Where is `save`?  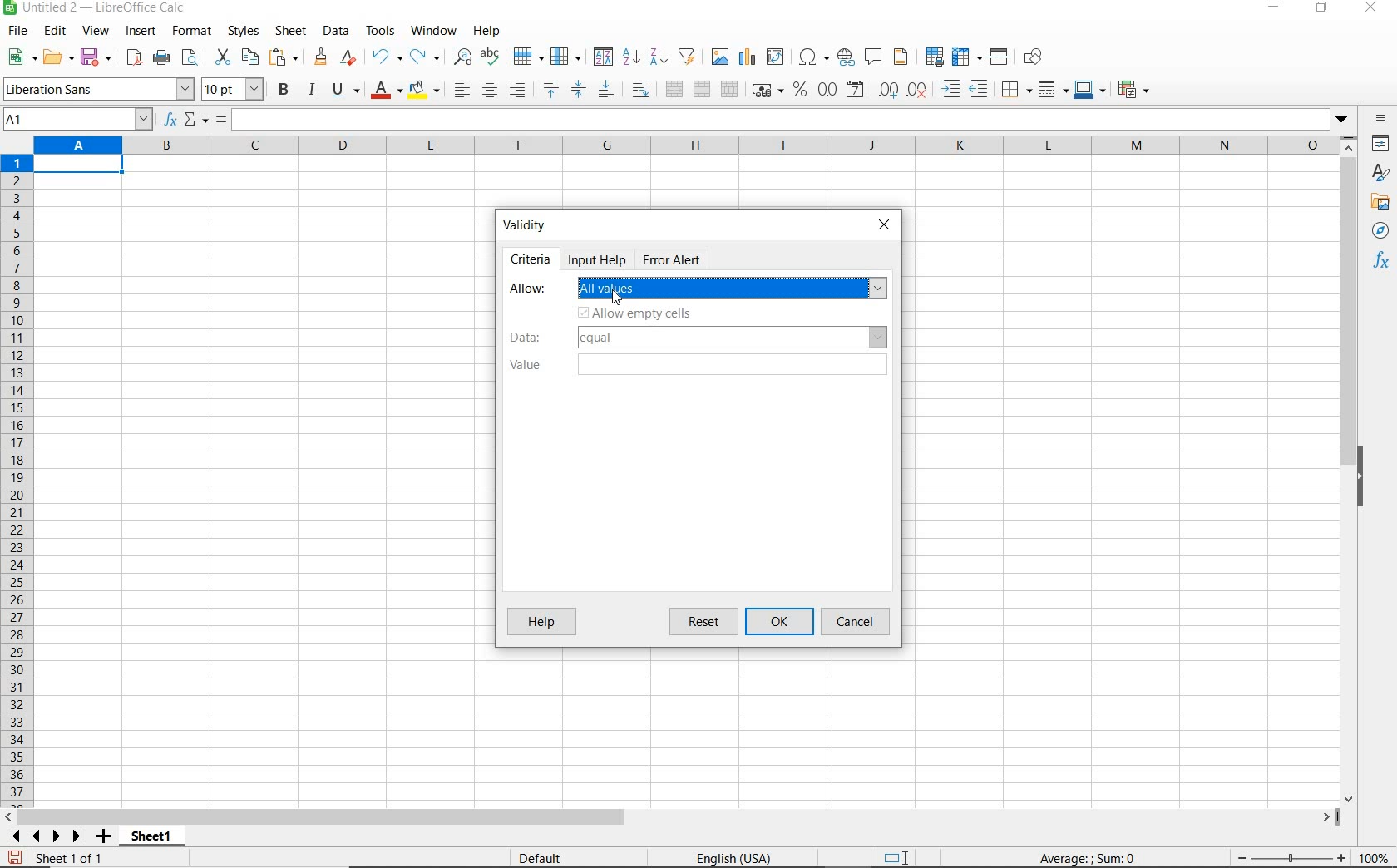
save is located at coordinates (97, 57).